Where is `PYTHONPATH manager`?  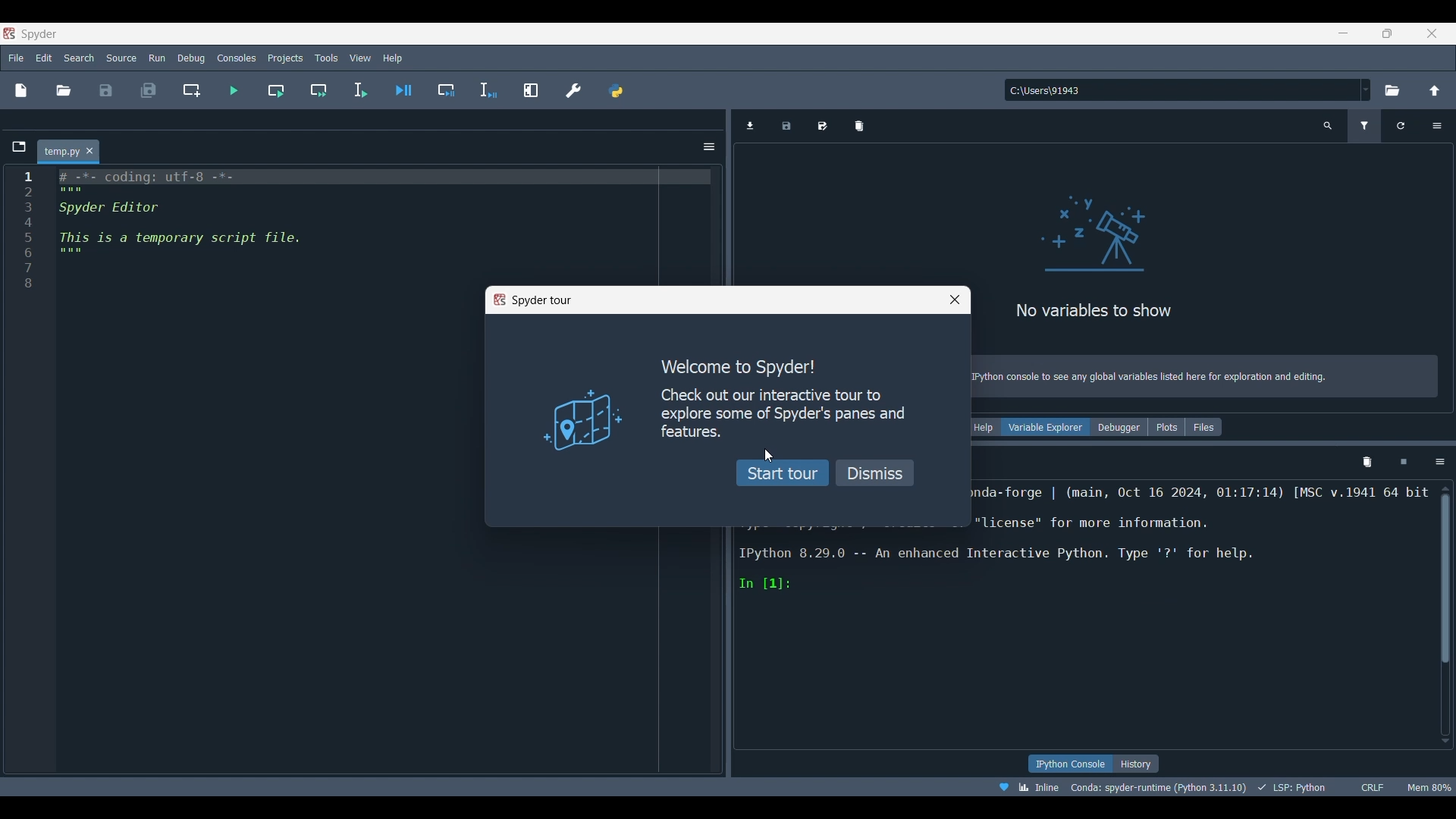
PYTHONPATH manager is located at coordinates (616, 90).